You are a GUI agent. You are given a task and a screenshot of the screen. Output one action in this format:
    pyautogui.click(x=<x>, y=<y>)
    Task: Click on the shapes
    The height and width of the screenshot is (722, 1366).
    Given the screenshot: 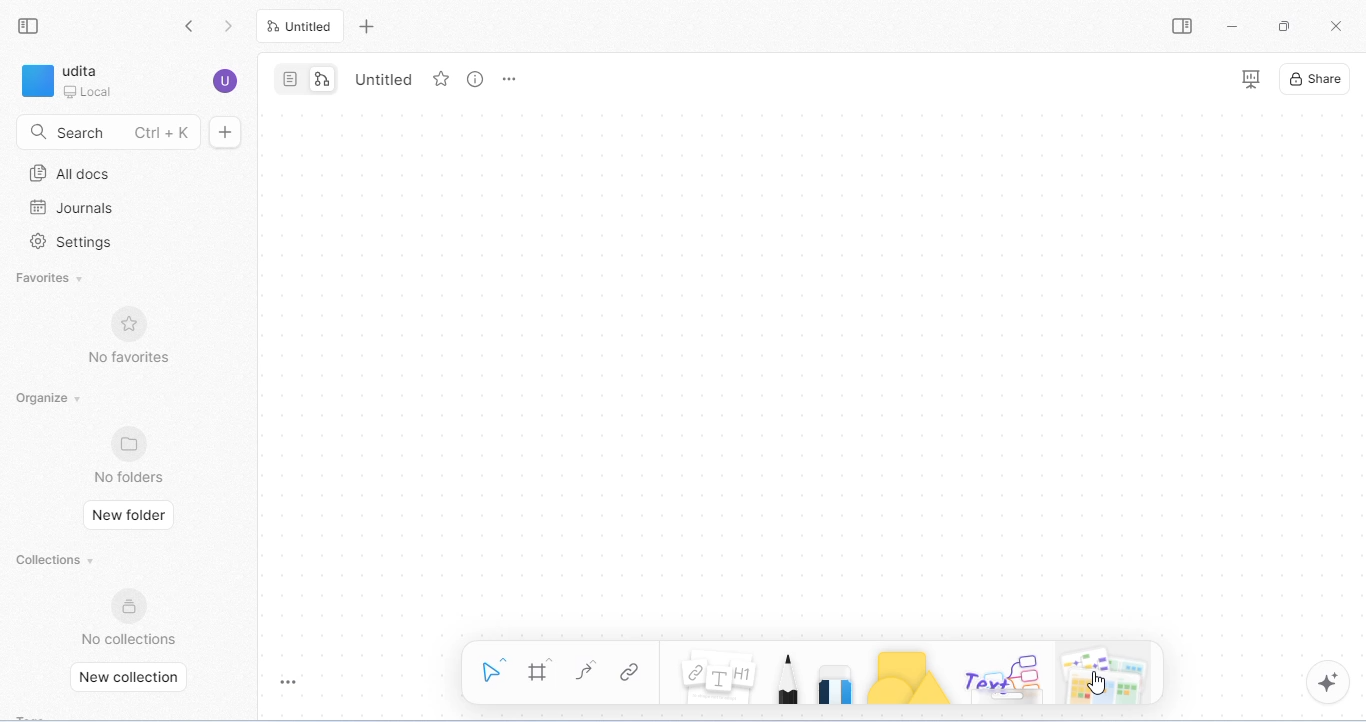 What is the action you would take?
    pyautogui.click(x=908, y=677)
    